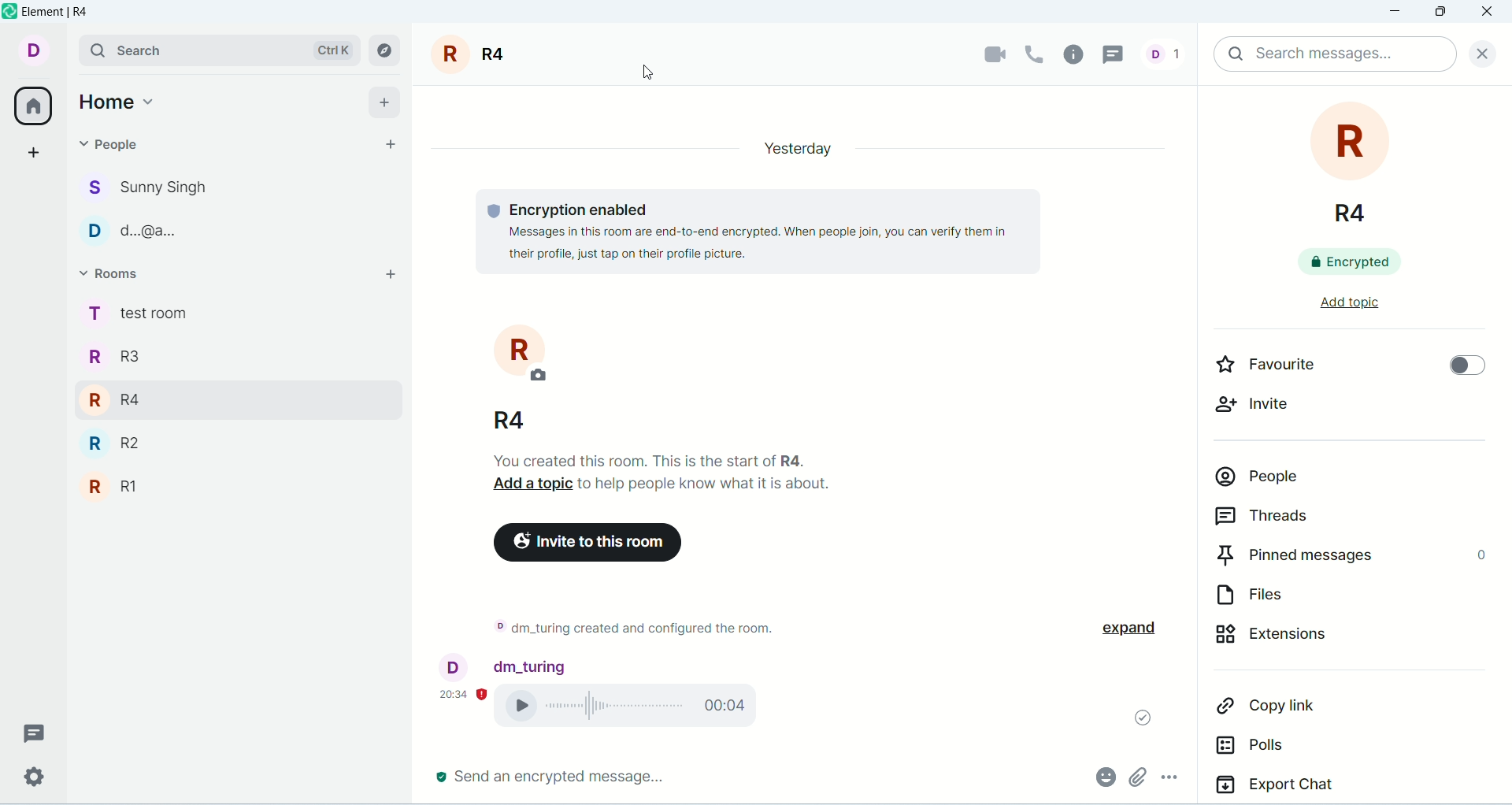 The width and height of the screenshot is (1512, 805). I want to click on start chat, so click(386, 145).